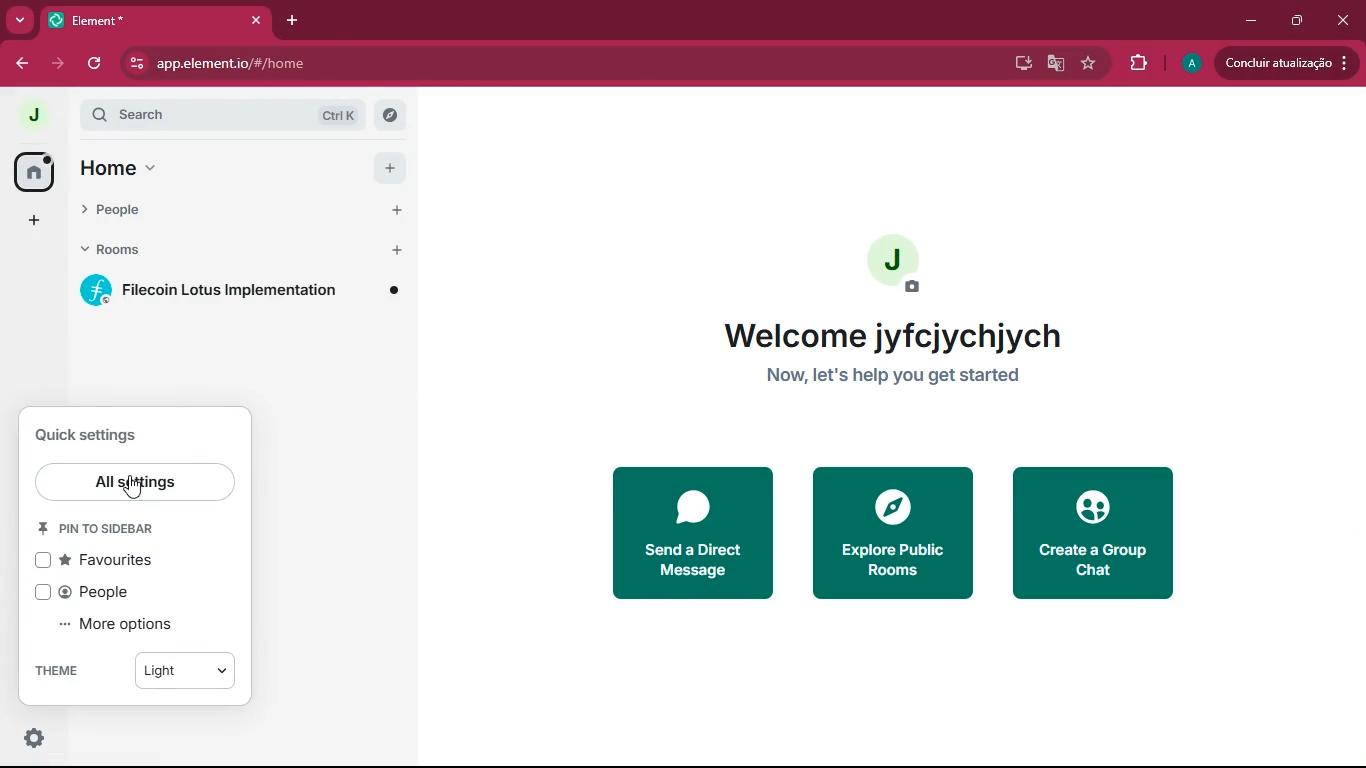 The width and height of the screenshot is (1366, 768). Describe the element at coordinates (1017, 64) in the screenshot. I see `desktop` at that location.